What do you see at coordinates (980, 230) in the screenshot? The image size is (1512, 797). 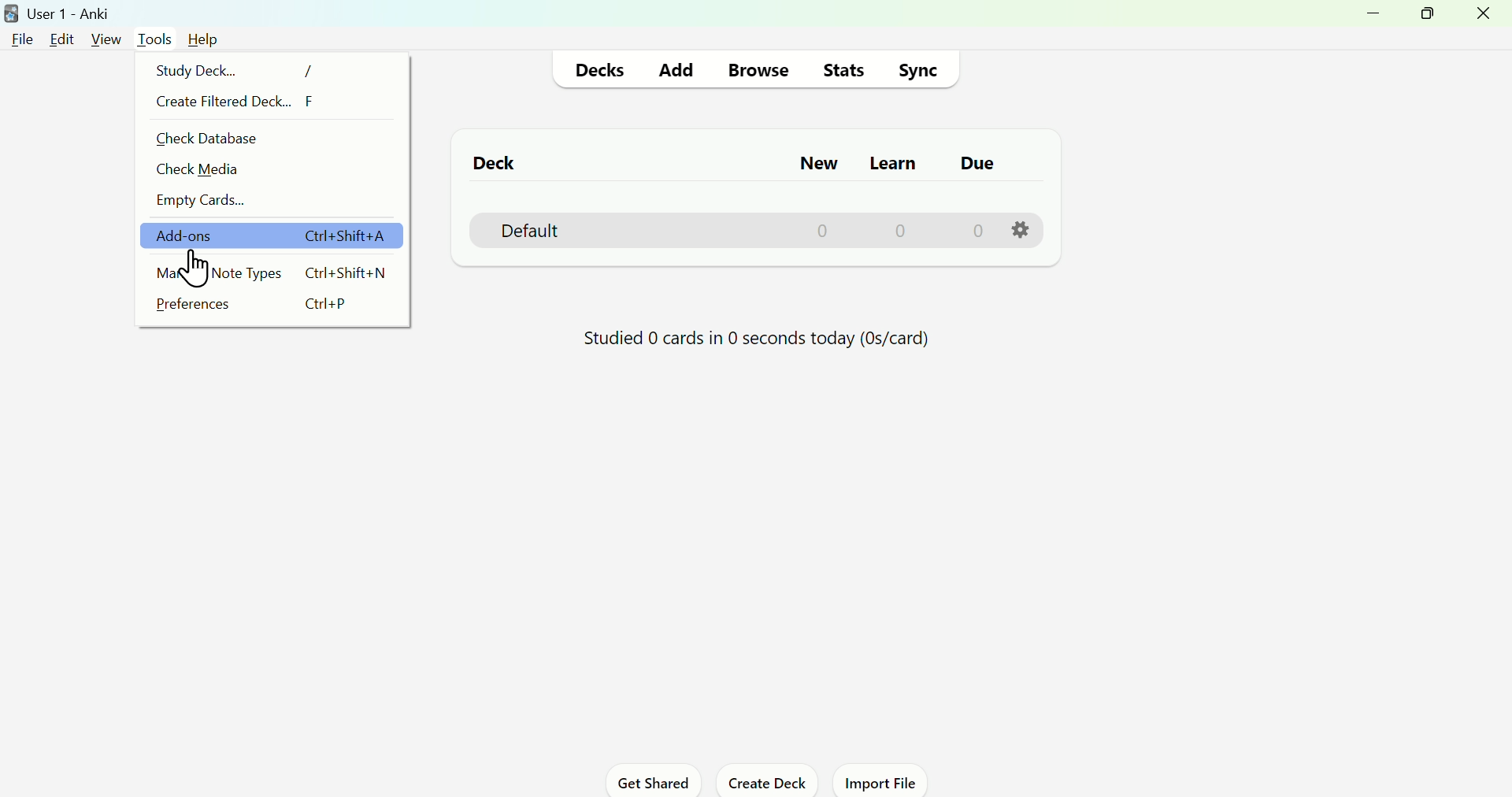 I see `0` at bounding box center [980, 230].